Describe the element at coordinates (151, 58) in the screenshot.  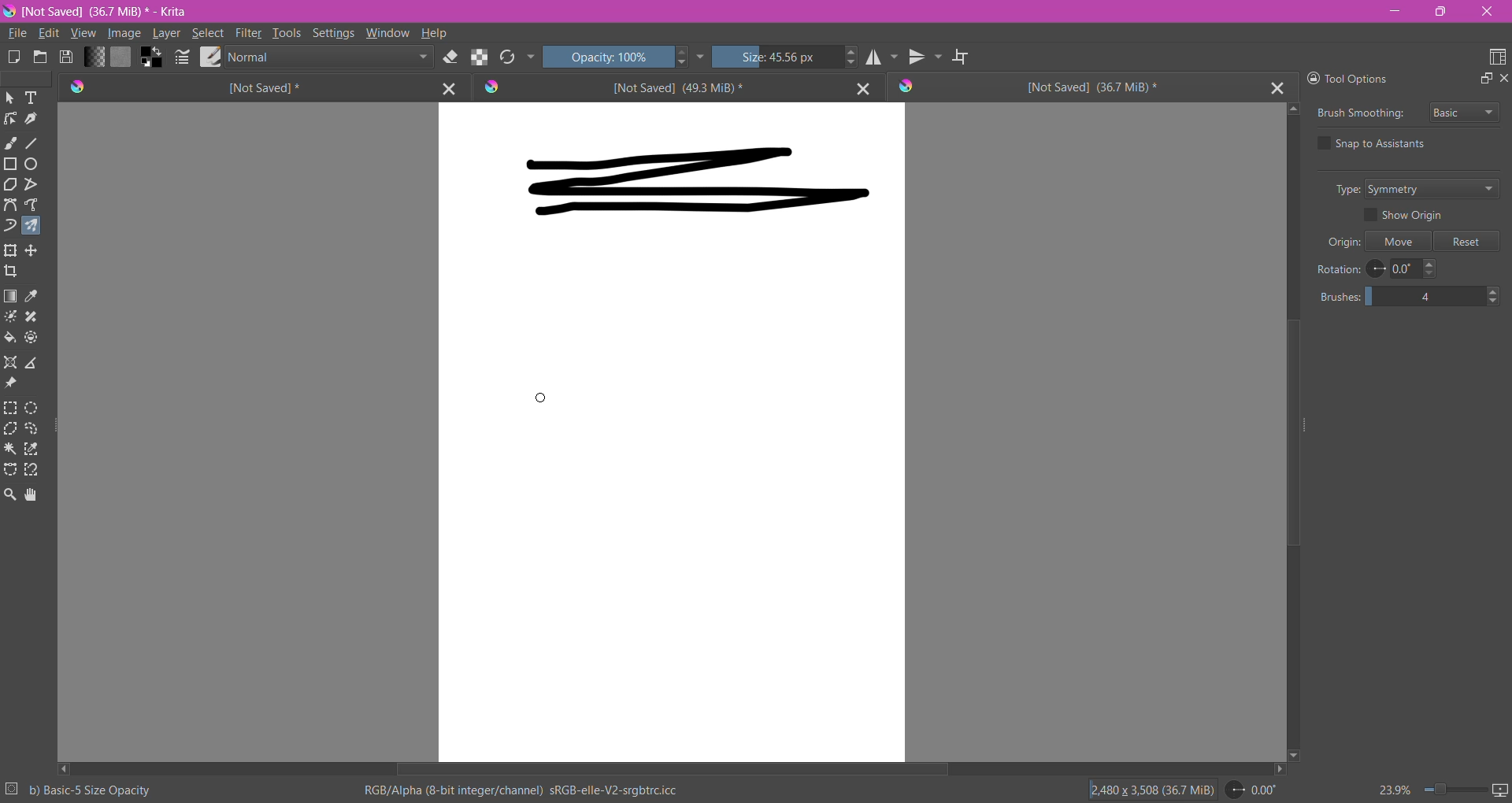
I see `Background Color Selector` at that location.